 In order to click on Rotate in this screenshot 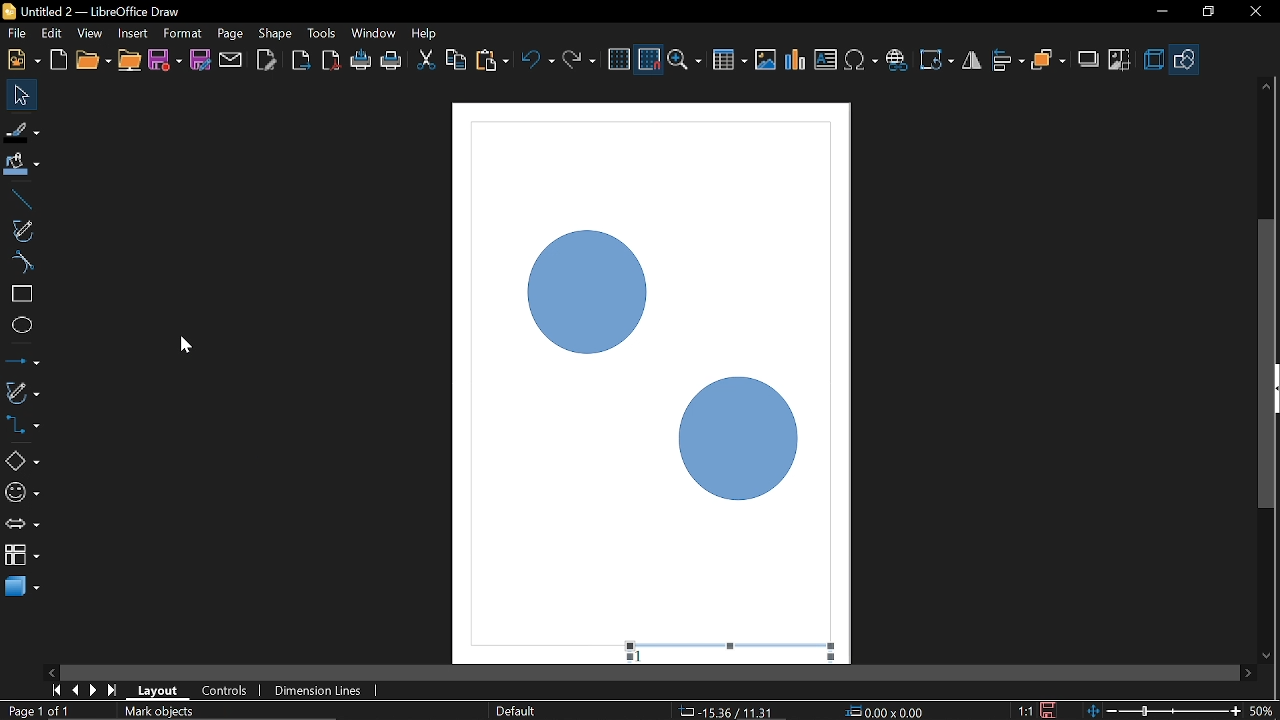, I will do `click(938, 60)`.